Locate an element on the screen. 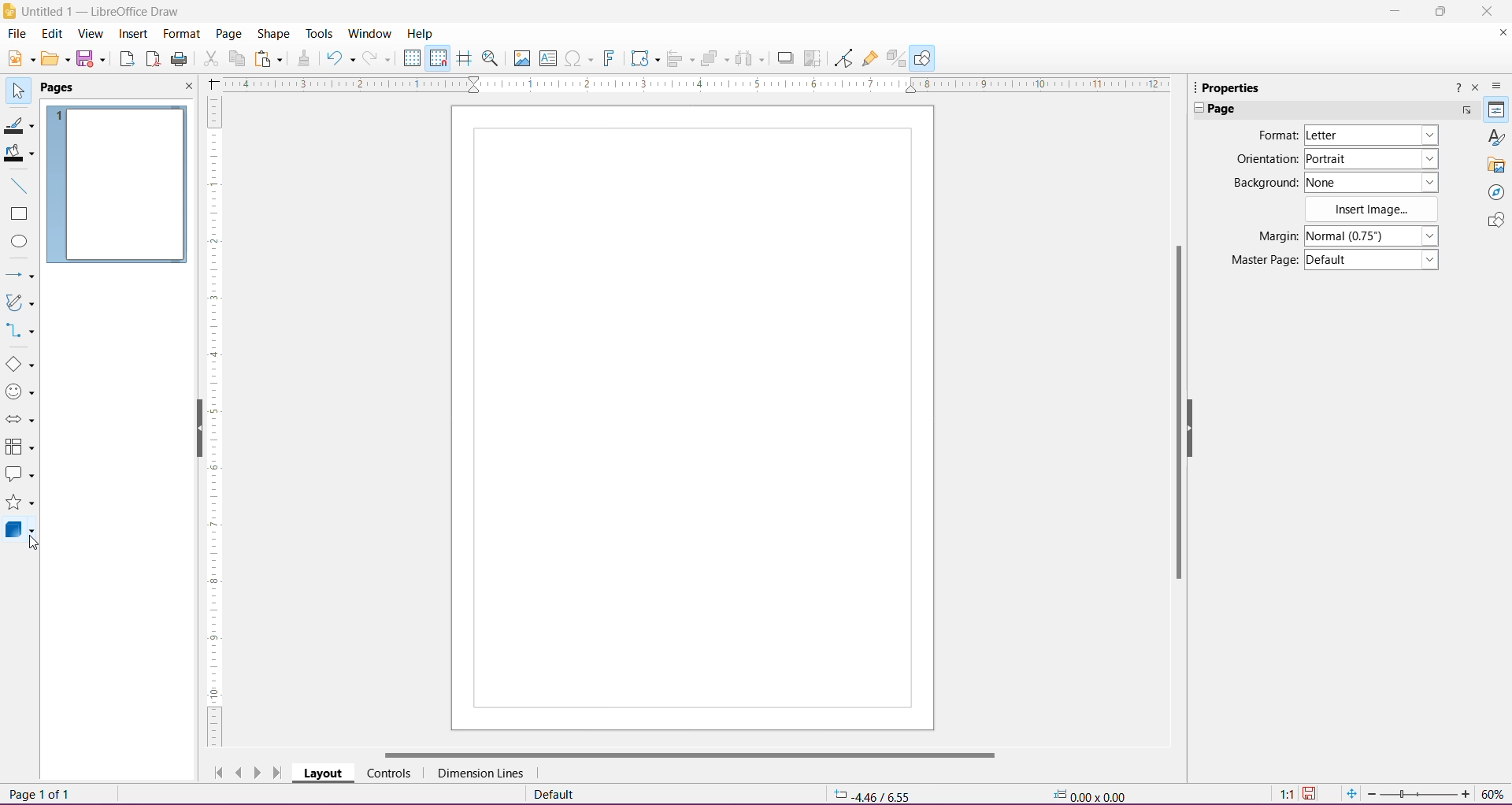  Toggle Point Edit Mode is located at coordinates (843, 58).